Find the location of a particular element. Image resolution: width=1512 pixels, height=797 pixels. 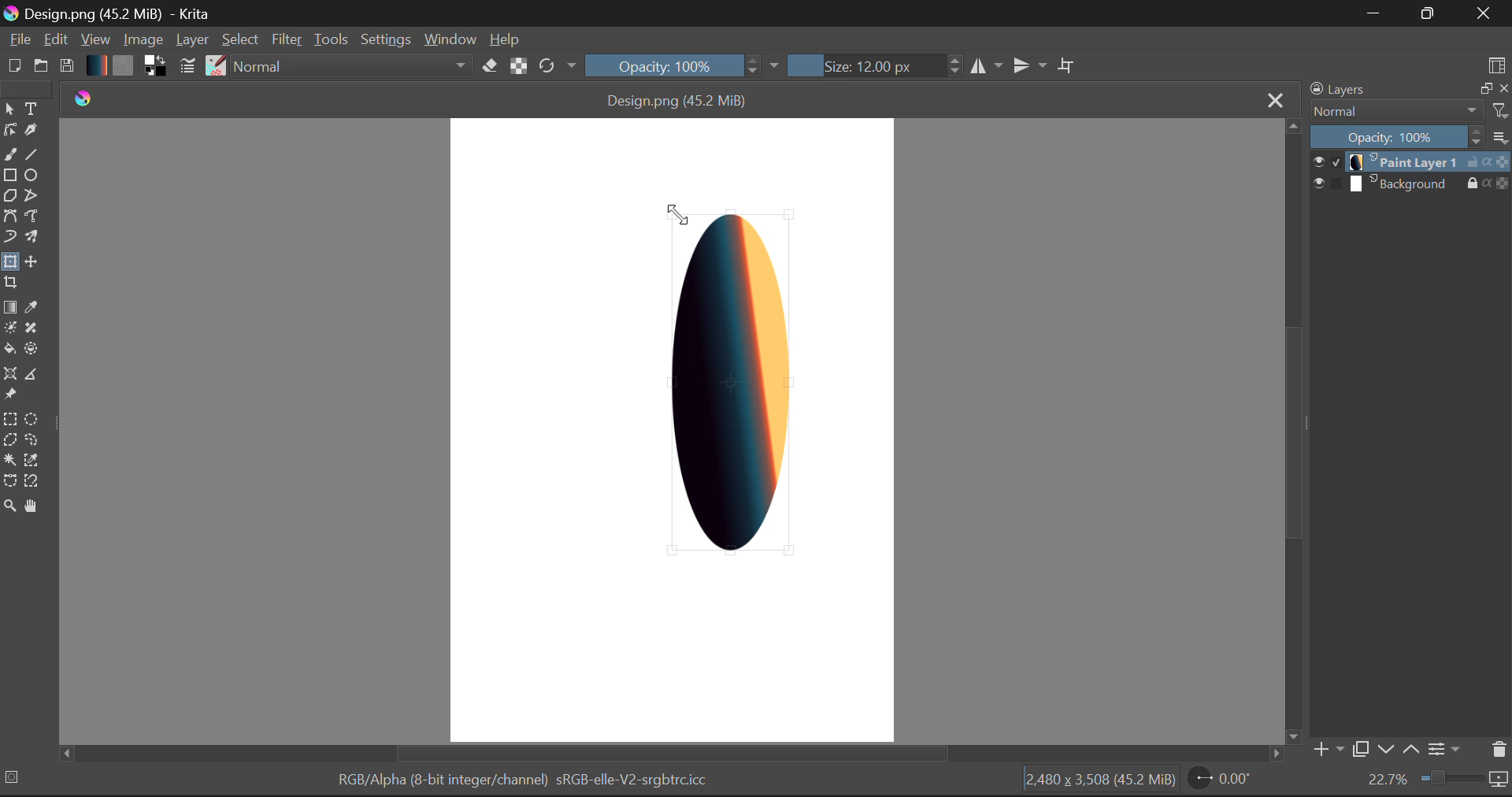

Dynamic Brush is located at coordinates (9, 238).